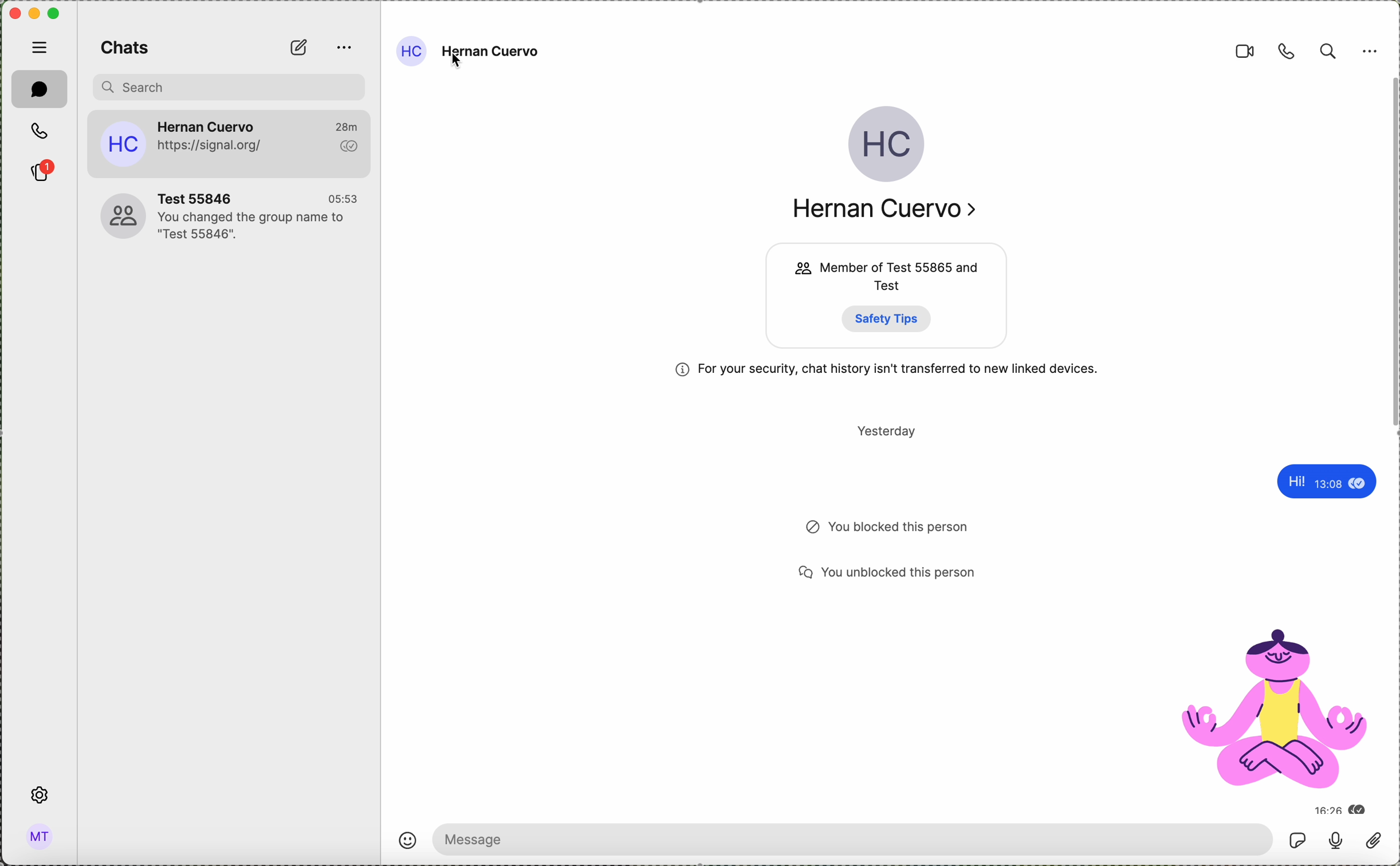  I want to click on Test 55846, so click(202, 195).